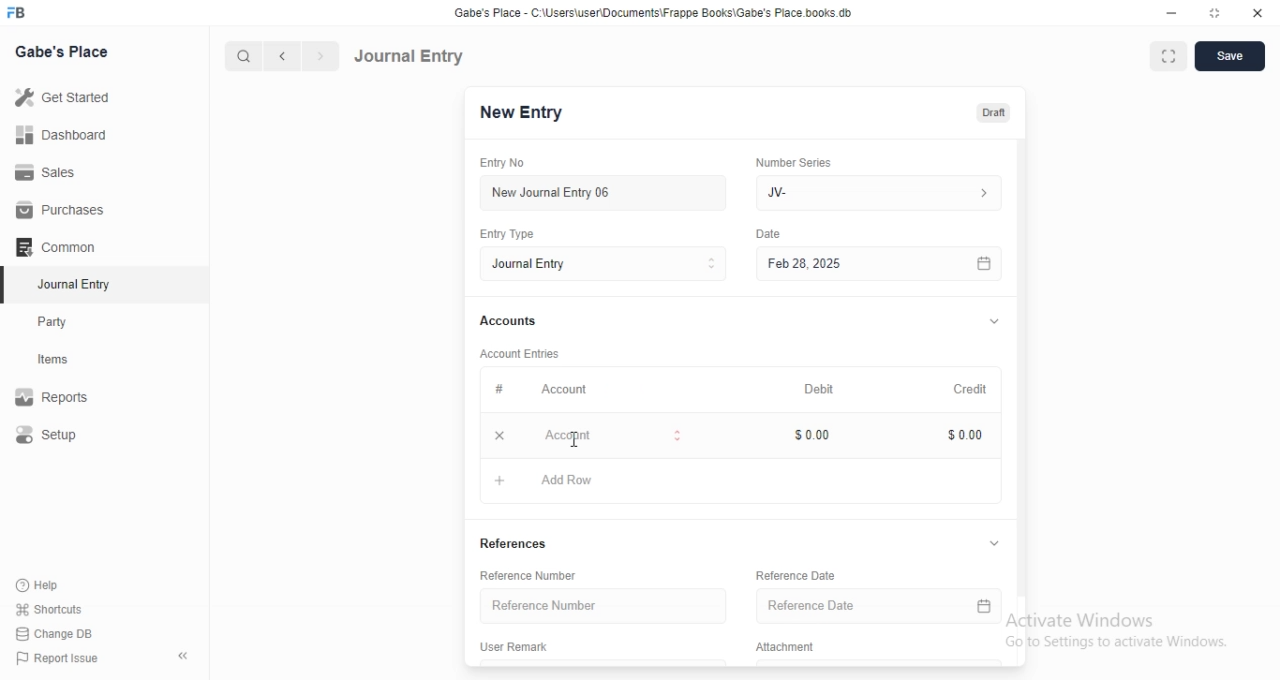  I want to click on cursor, so click(574, 442).